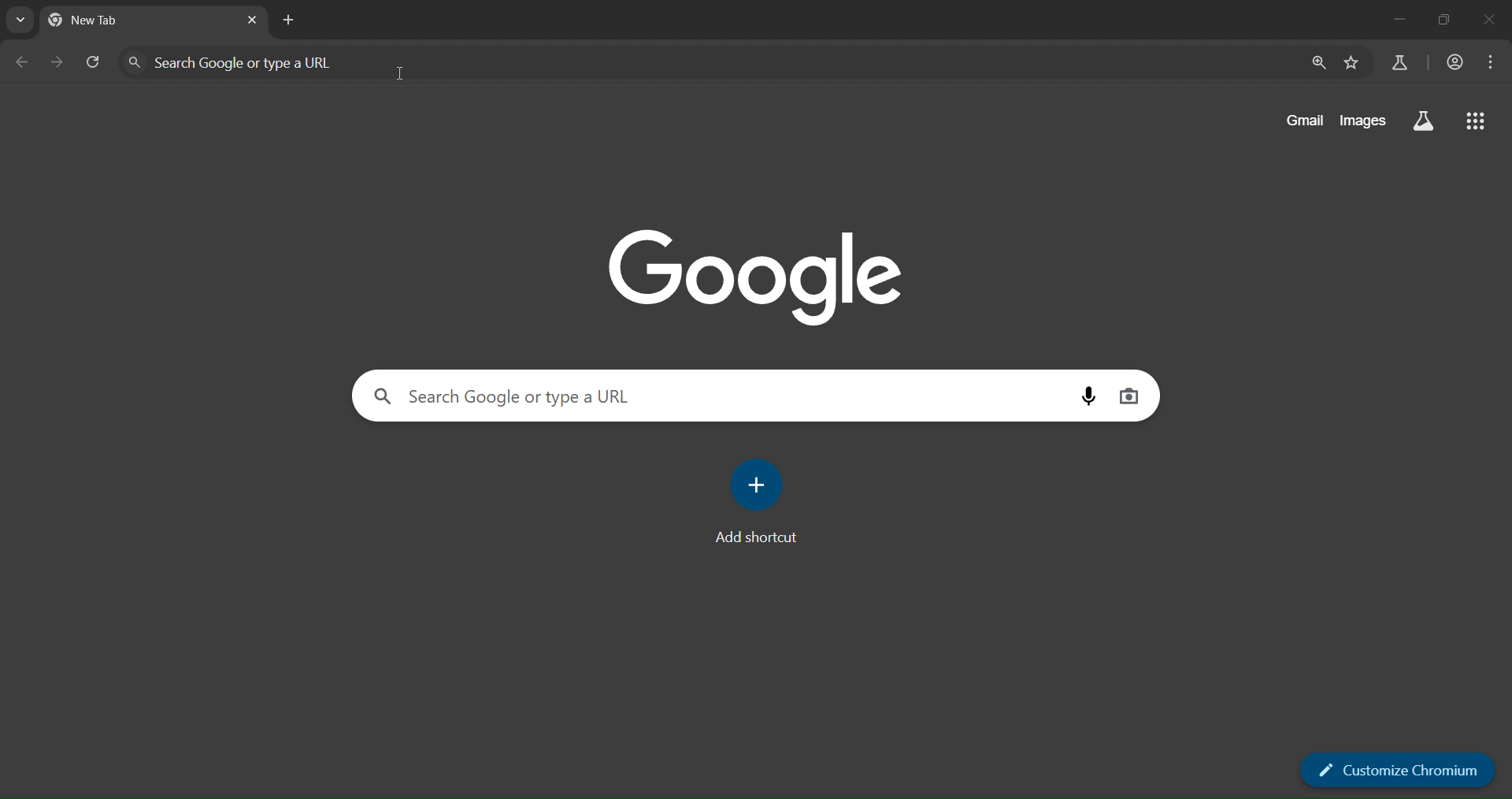  Describe the element at coordinates (713, 61) in the screenshot. I see `search google or type a URL` at that location.